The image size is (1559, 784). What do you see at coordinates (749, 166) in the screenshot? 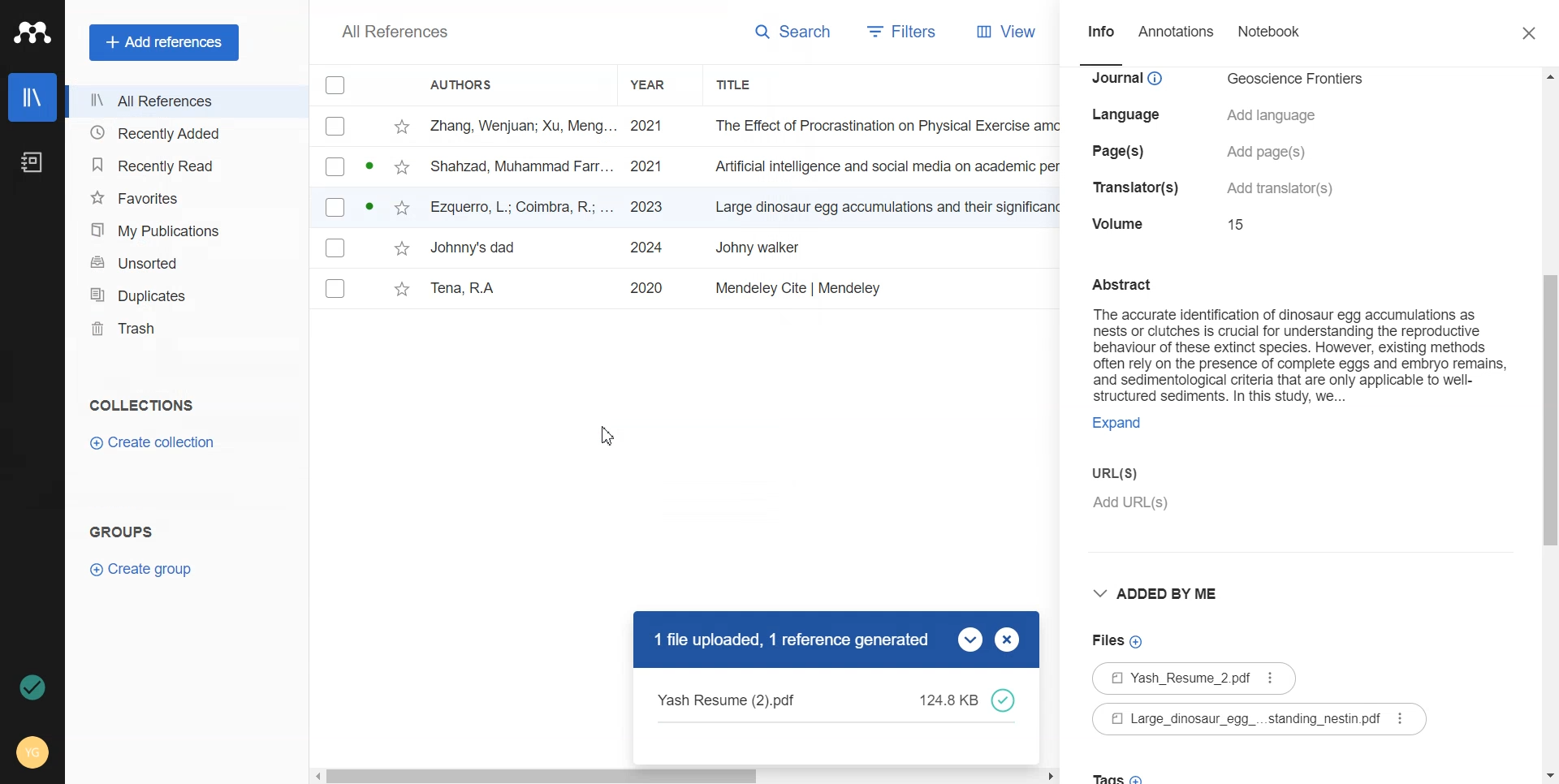
I see `File` at bounding box center [749, 166].